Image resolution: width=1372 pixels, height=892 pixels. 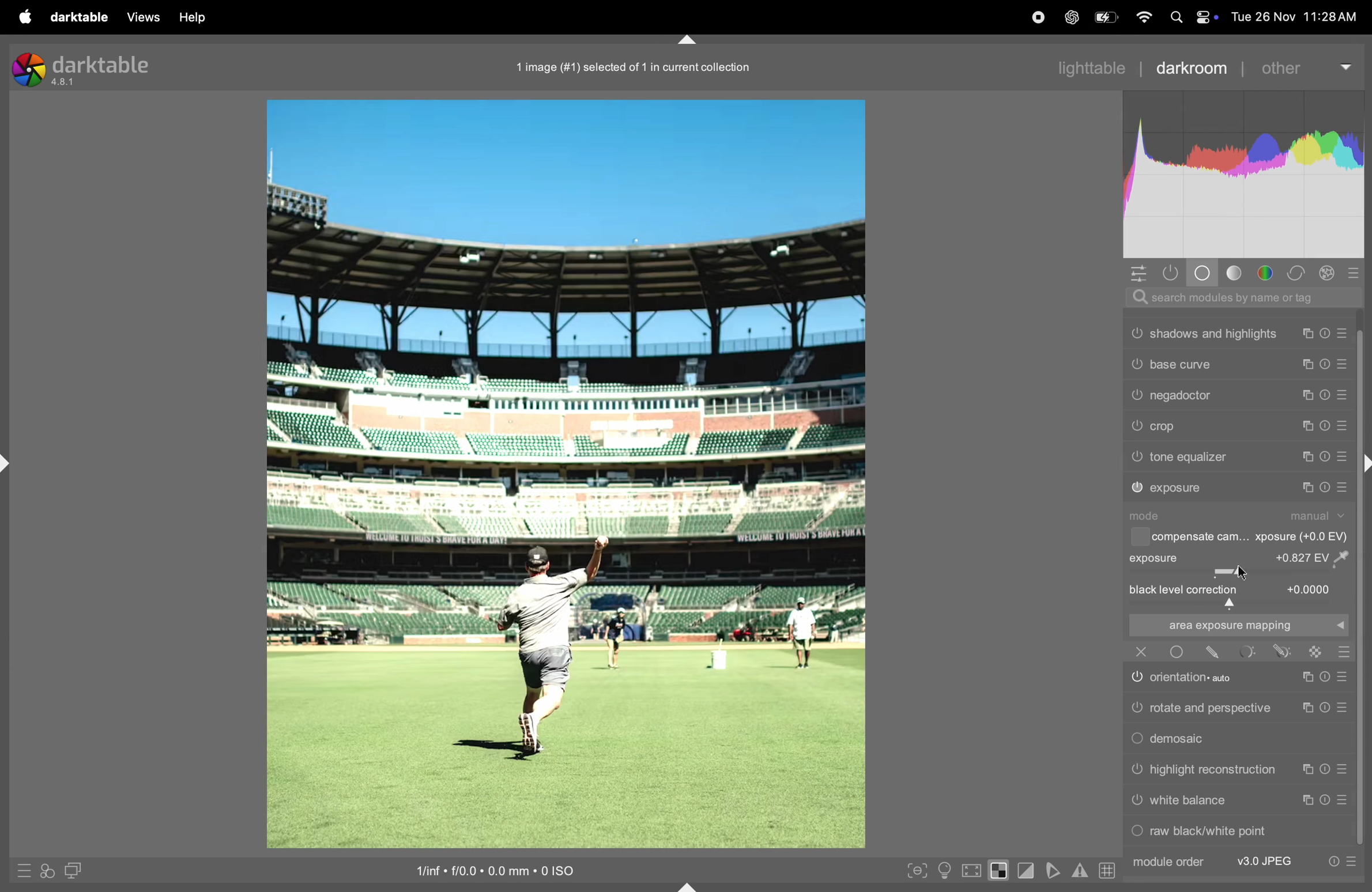 What do you see at coordinates (1189, 67) in the screenshot?
I see `darkroom` at bounding box center [1189, 67].